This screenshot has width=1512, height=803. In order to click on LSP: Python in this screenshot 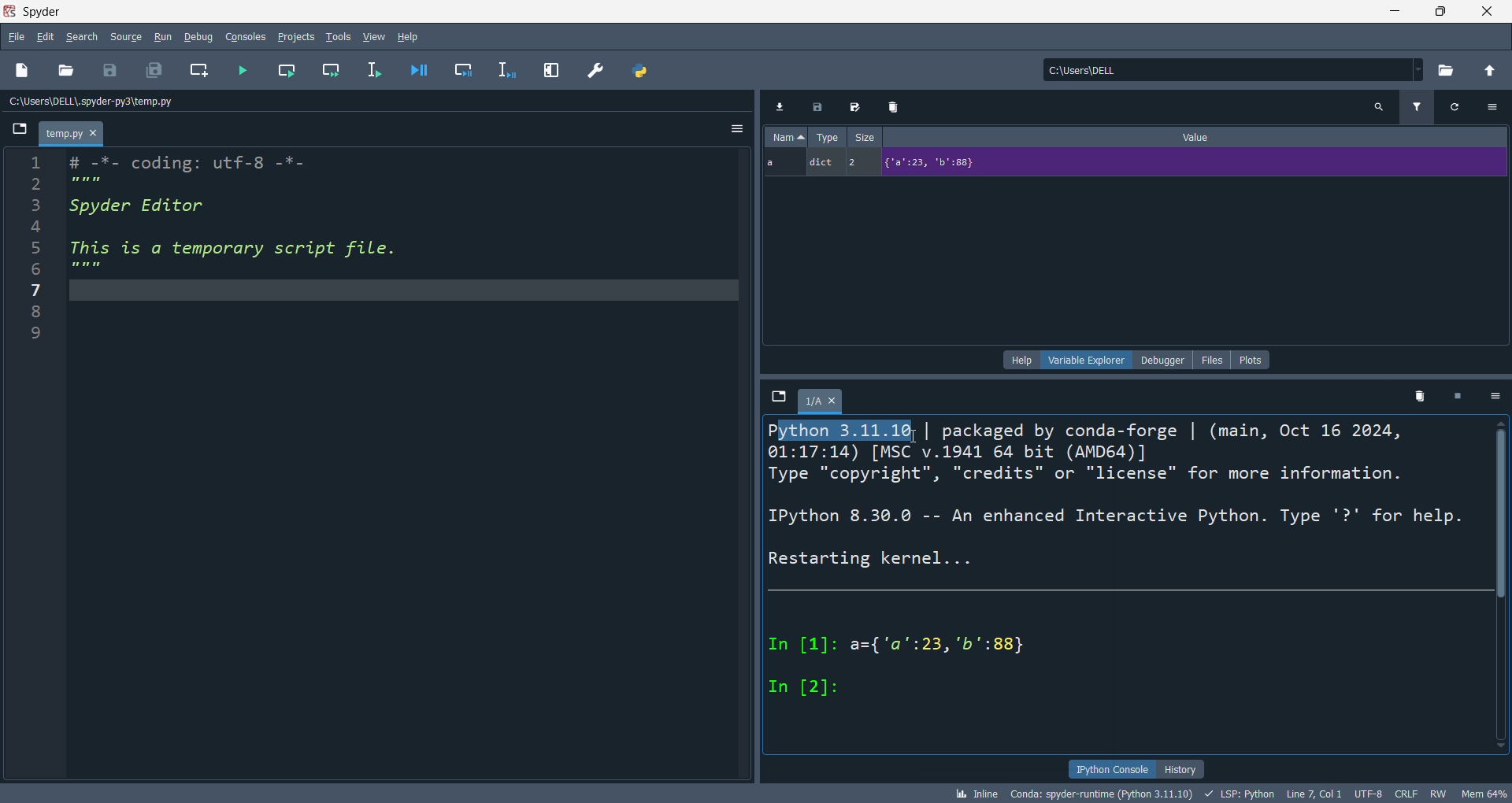, I will do `click(1238, 794)`.